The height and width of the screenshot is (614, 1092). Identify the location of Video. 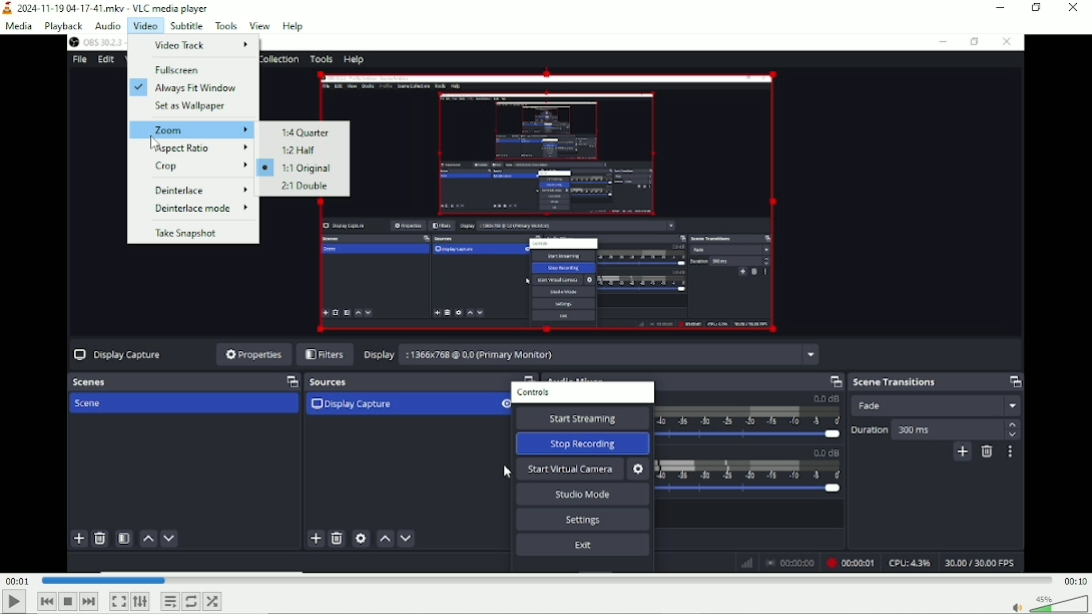
(145, 26).